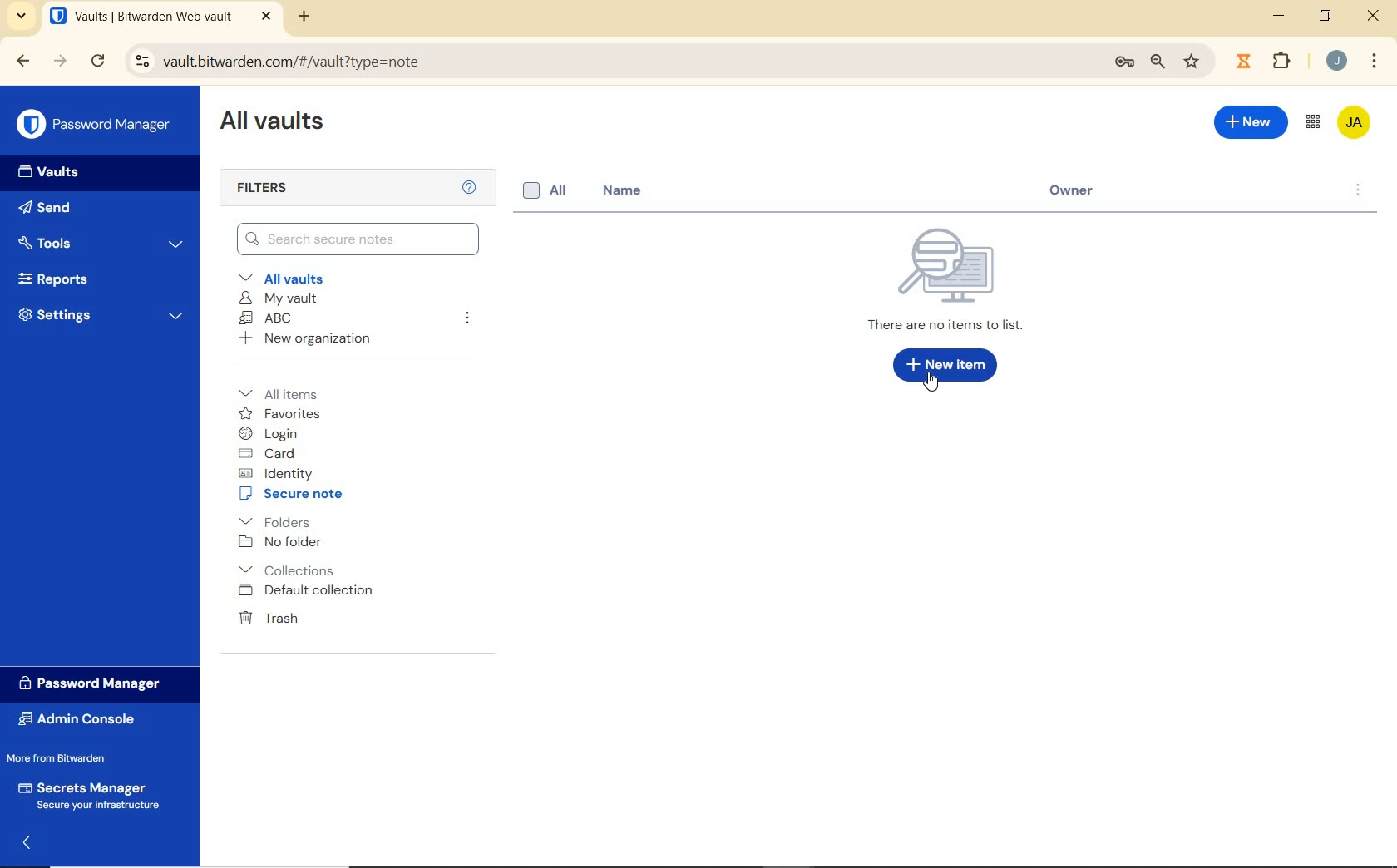 The width and height of the screenshot is (1397, 868). What do you see at coordinates (935, 392) in the screenshot?
I see `Mouse Cursor` at bounding box center [935, 392].